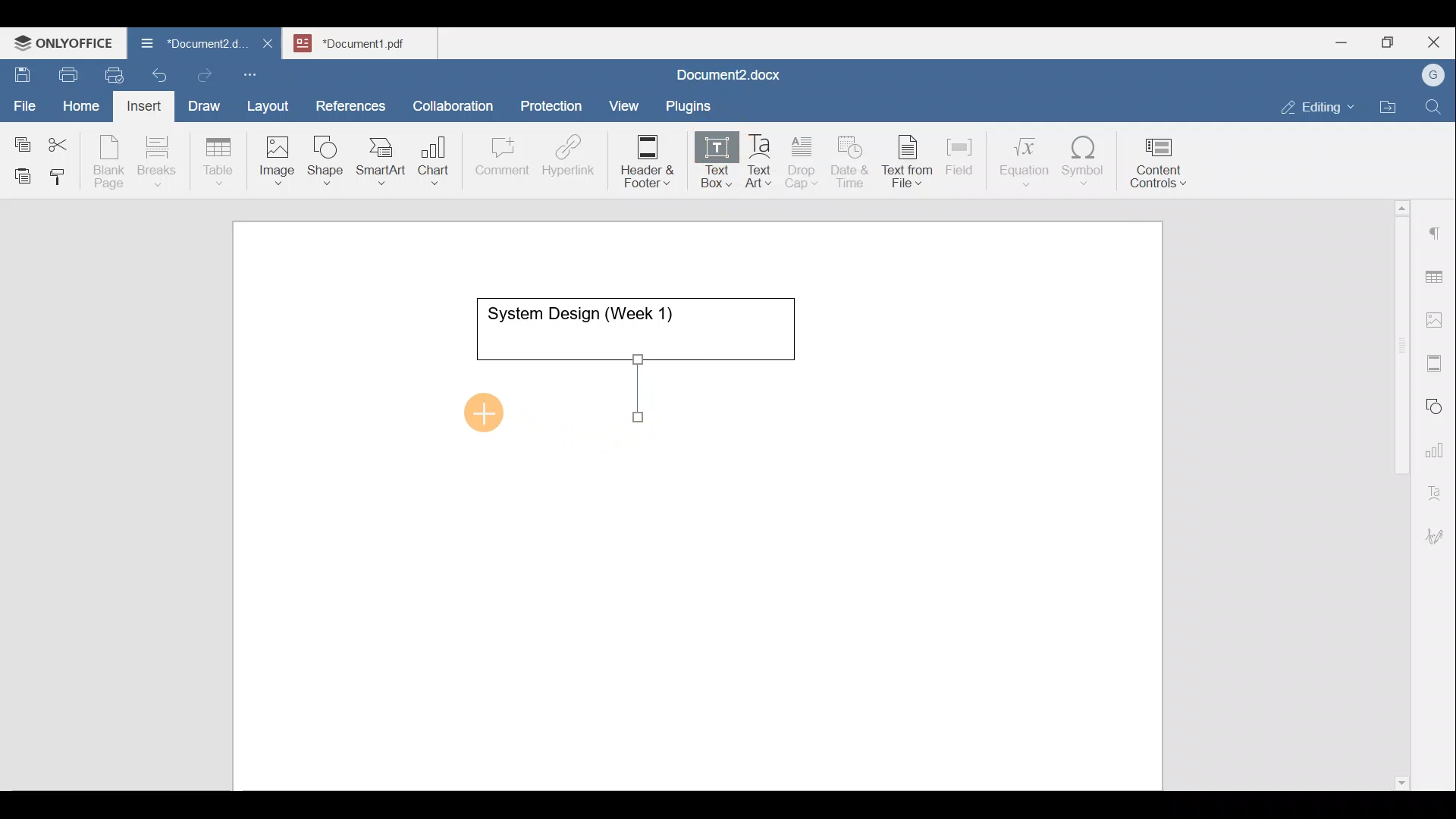 Image resolution: width=1456 pixels, height=819 pixels. What do you see at coordinates (1084, 165) in the screenshot?
I see `Symbol` at bounding box center [1084, 165].